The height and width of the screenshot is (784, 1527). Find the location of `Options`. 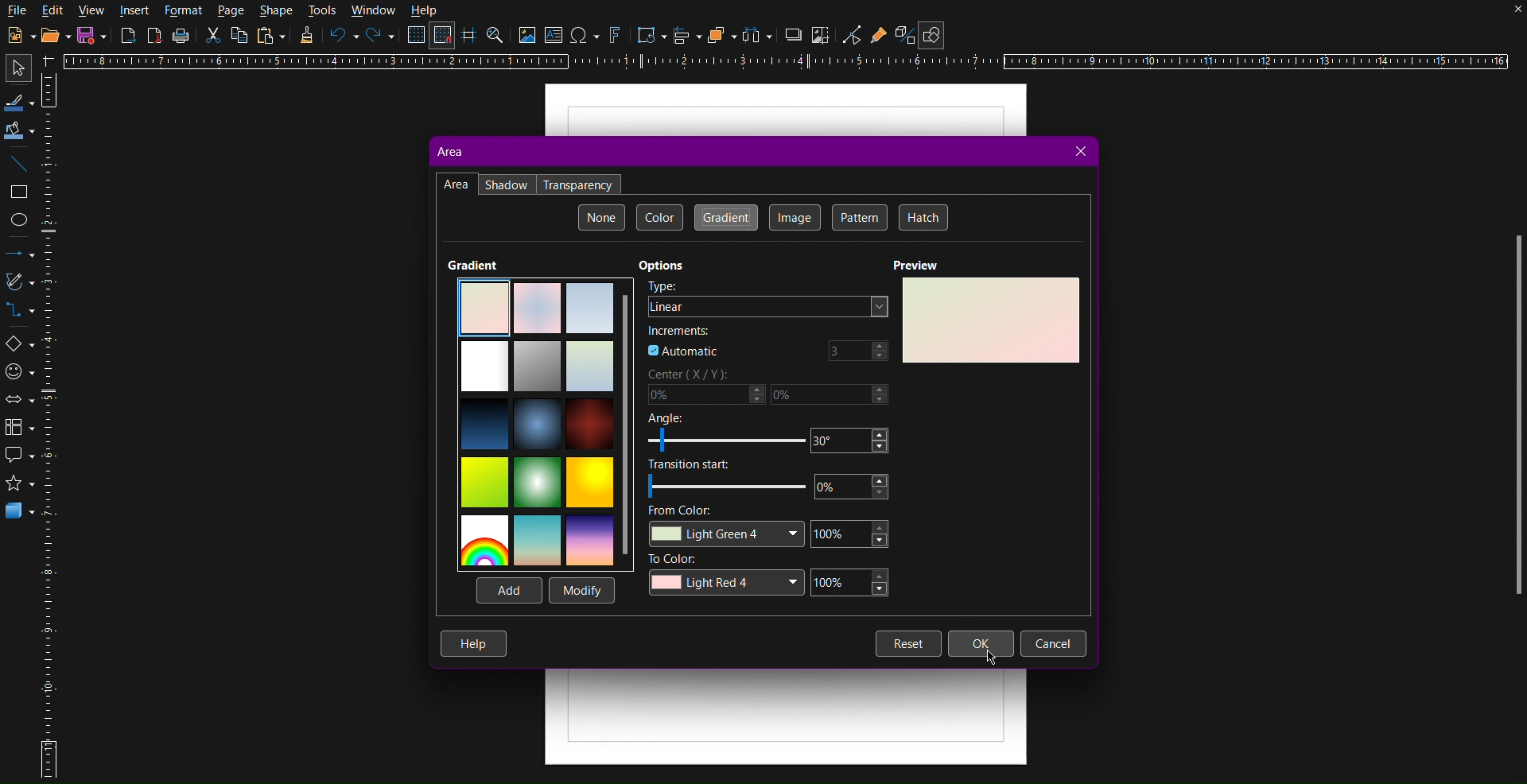

Options is located at coordinates (659, 266).